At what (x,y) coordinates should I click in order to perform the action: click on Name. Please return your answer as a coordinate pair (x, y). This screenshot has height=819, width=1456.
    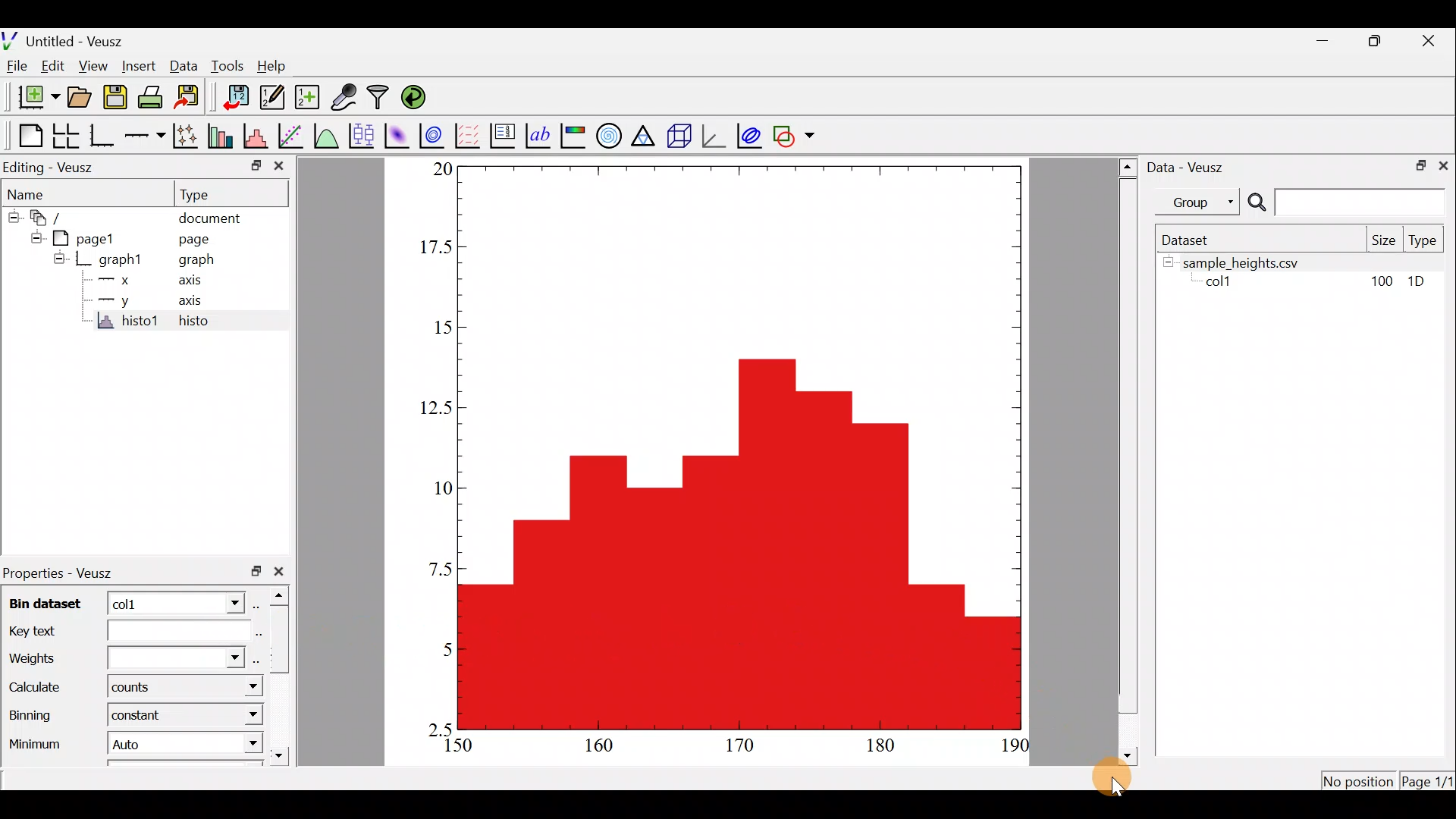
    Looking at the image, I should click on (33, 193).